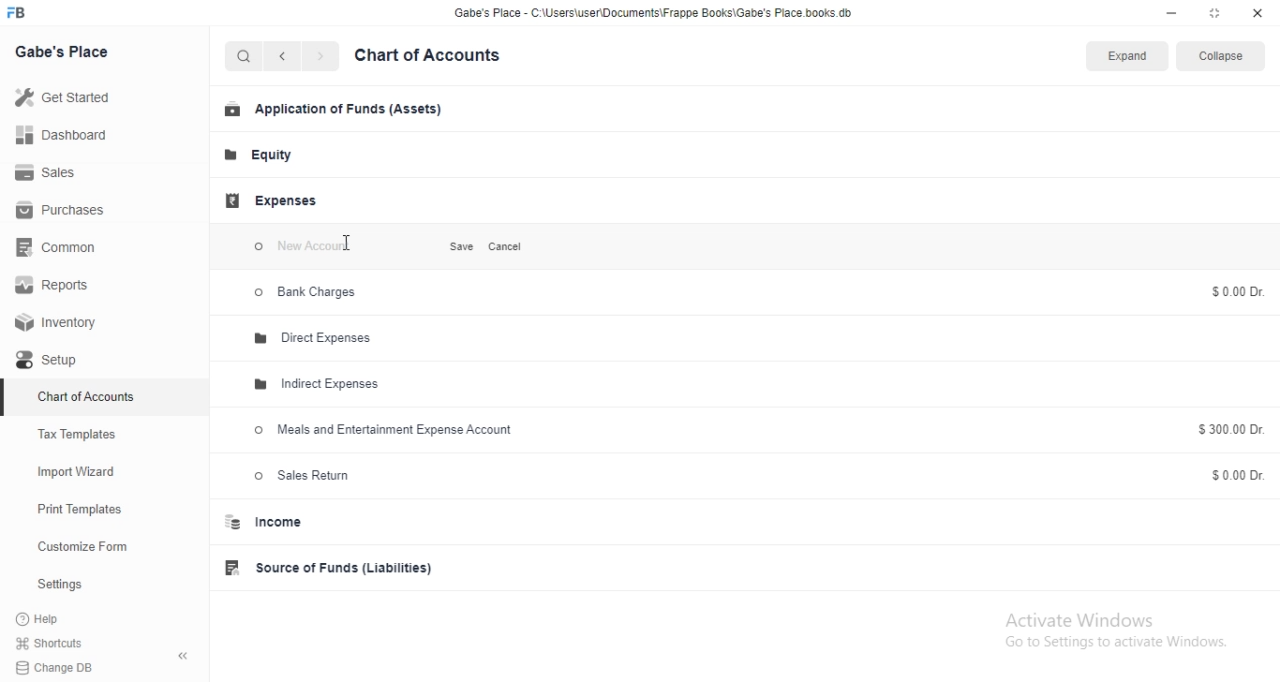 This screenshot has width=1280, height=682. I want to click on Chart of Accounts., so click(86, 393).